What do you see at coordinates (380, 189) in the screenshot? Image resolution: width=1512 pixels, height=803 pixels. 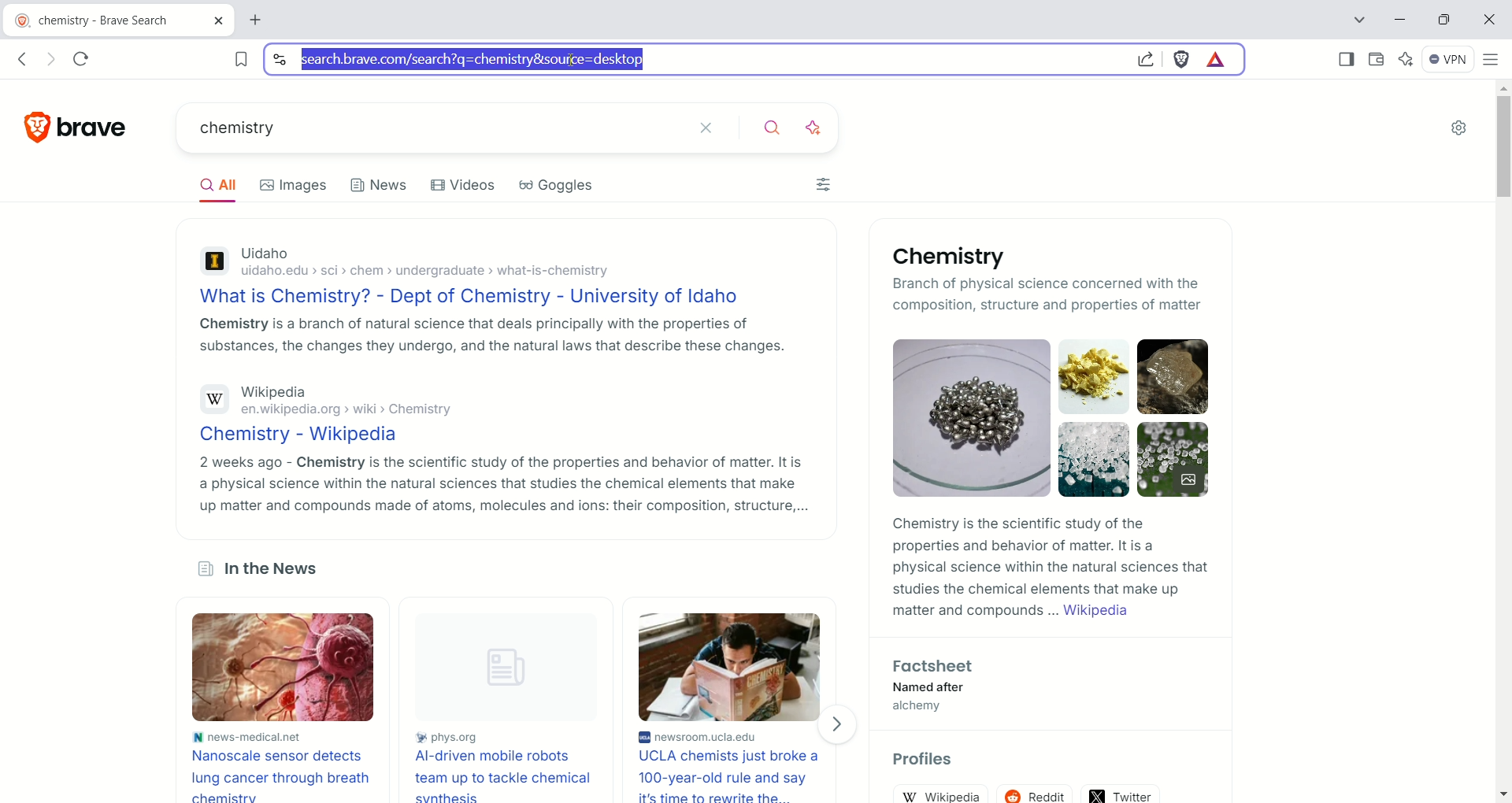 I see `News` at bounding box center [380, 189].